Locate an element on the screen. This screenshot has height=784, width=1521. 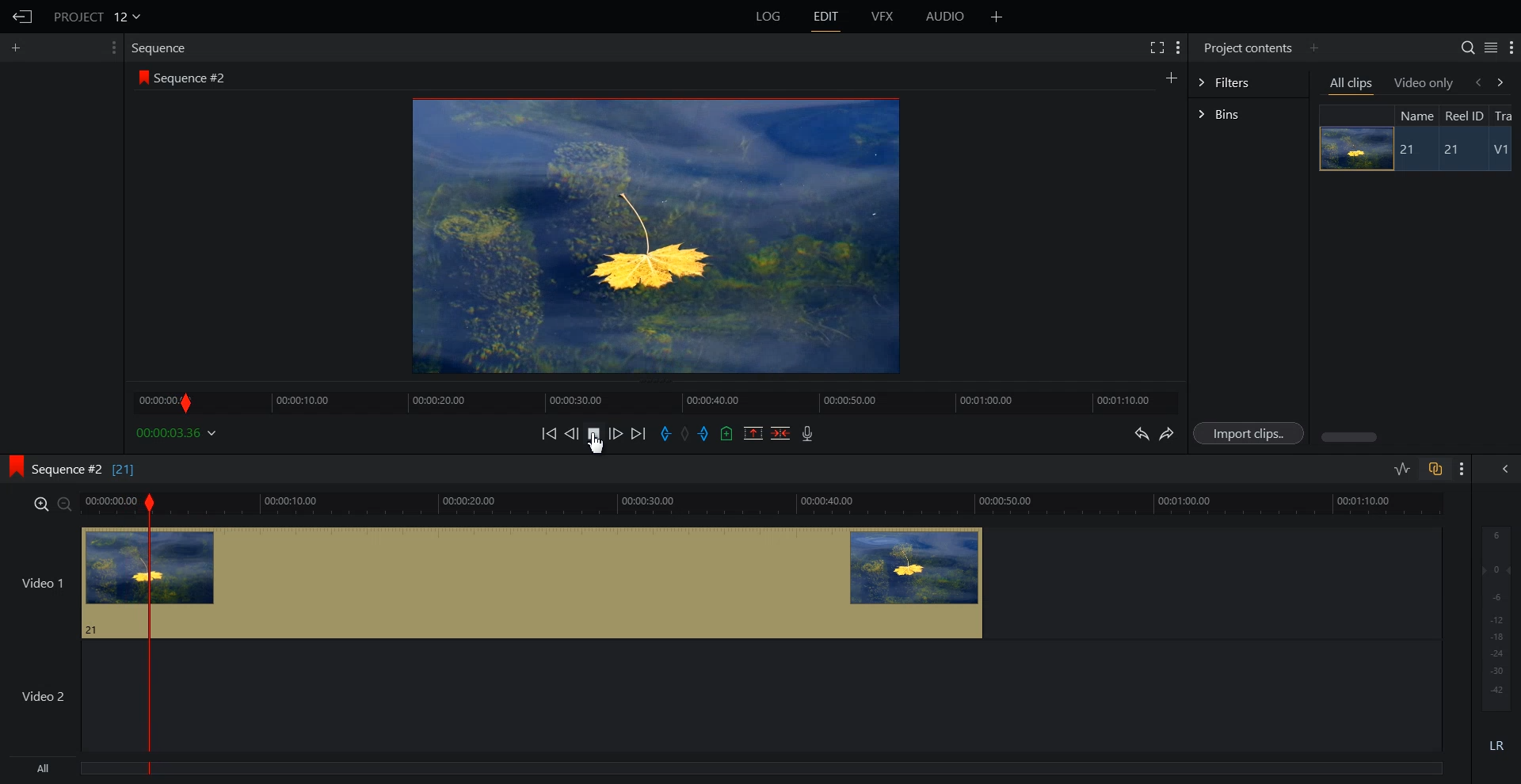
Sequence #2 [21] is located at coordinates (85, 470).